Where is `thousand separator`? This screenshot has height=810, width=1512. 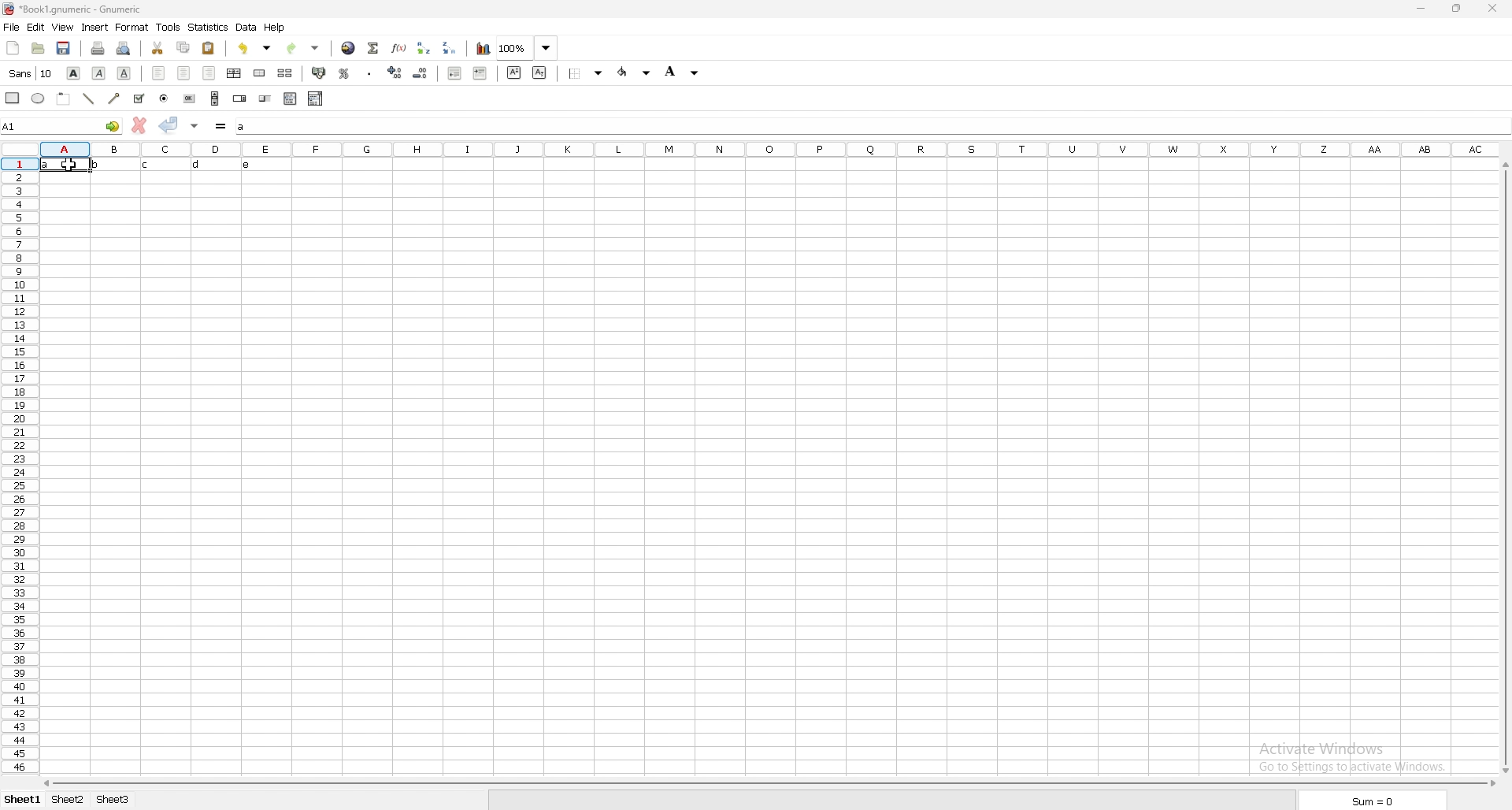
thousand separator is located at coordinates (370, 72).